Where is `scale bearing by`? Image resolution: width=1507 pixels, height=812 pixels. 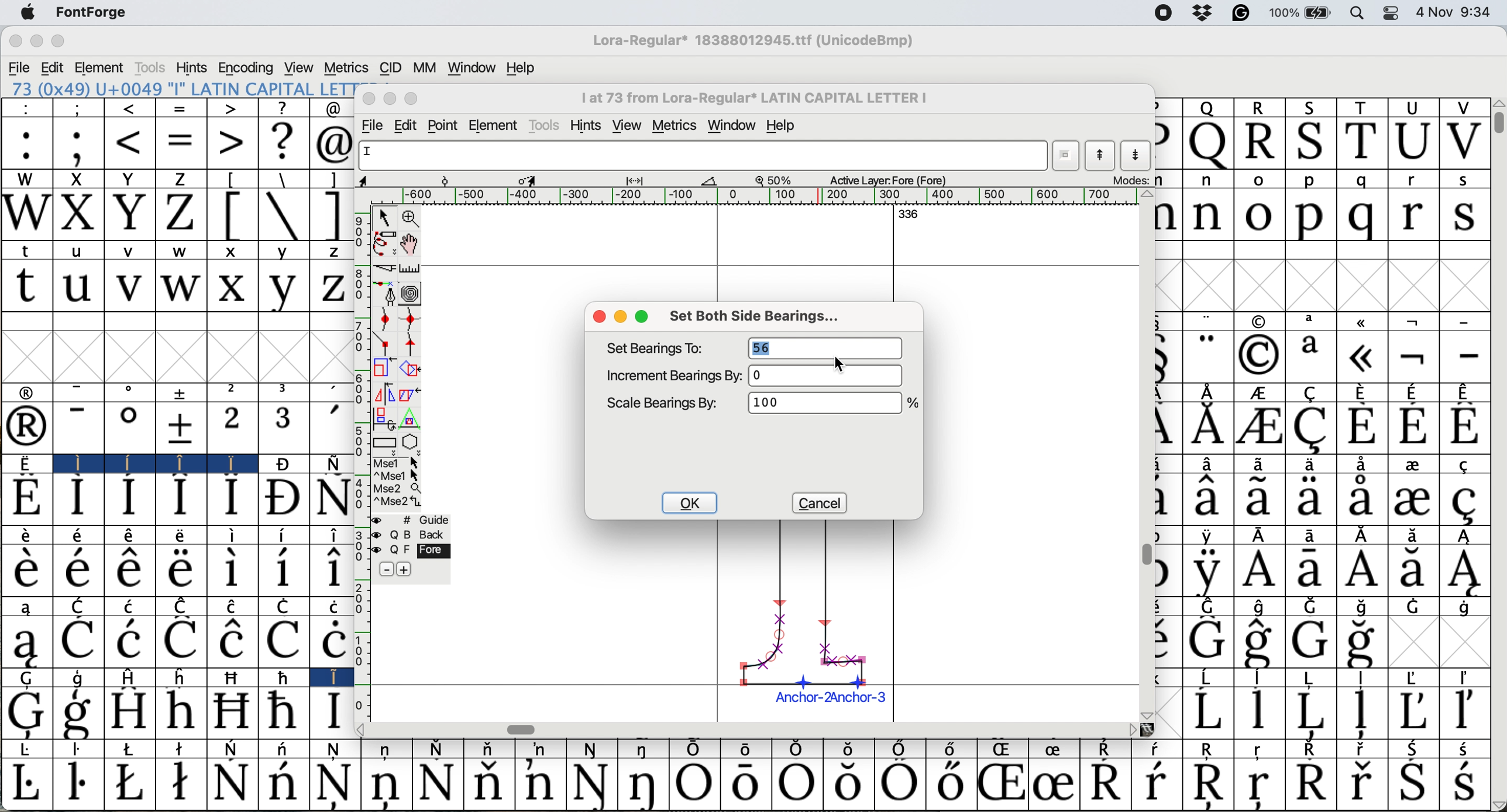
scale bearing by is located at coordinates (665, 403).